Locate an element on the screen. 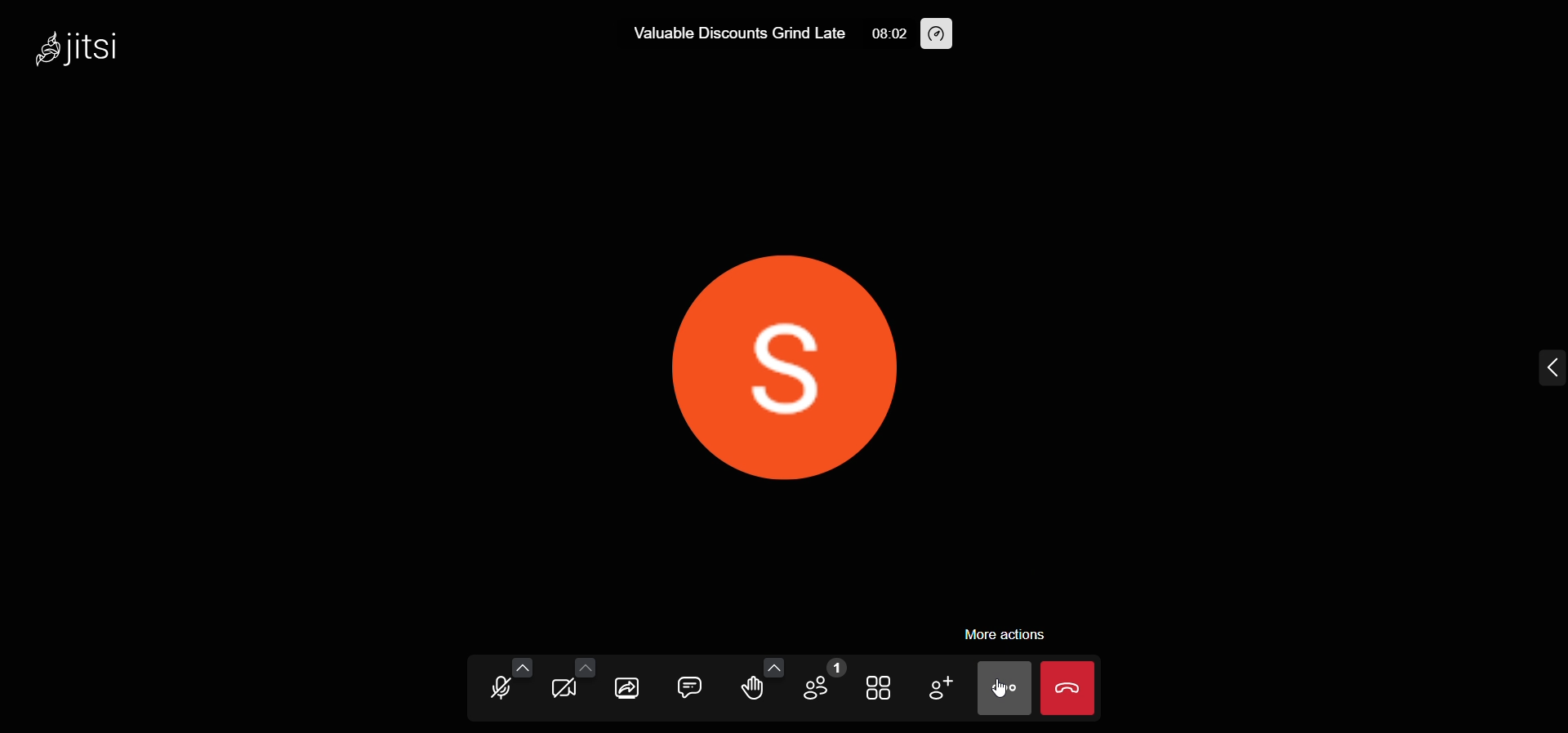 The image size is (1568, 733). cursor is located at coordinates (990, 695).